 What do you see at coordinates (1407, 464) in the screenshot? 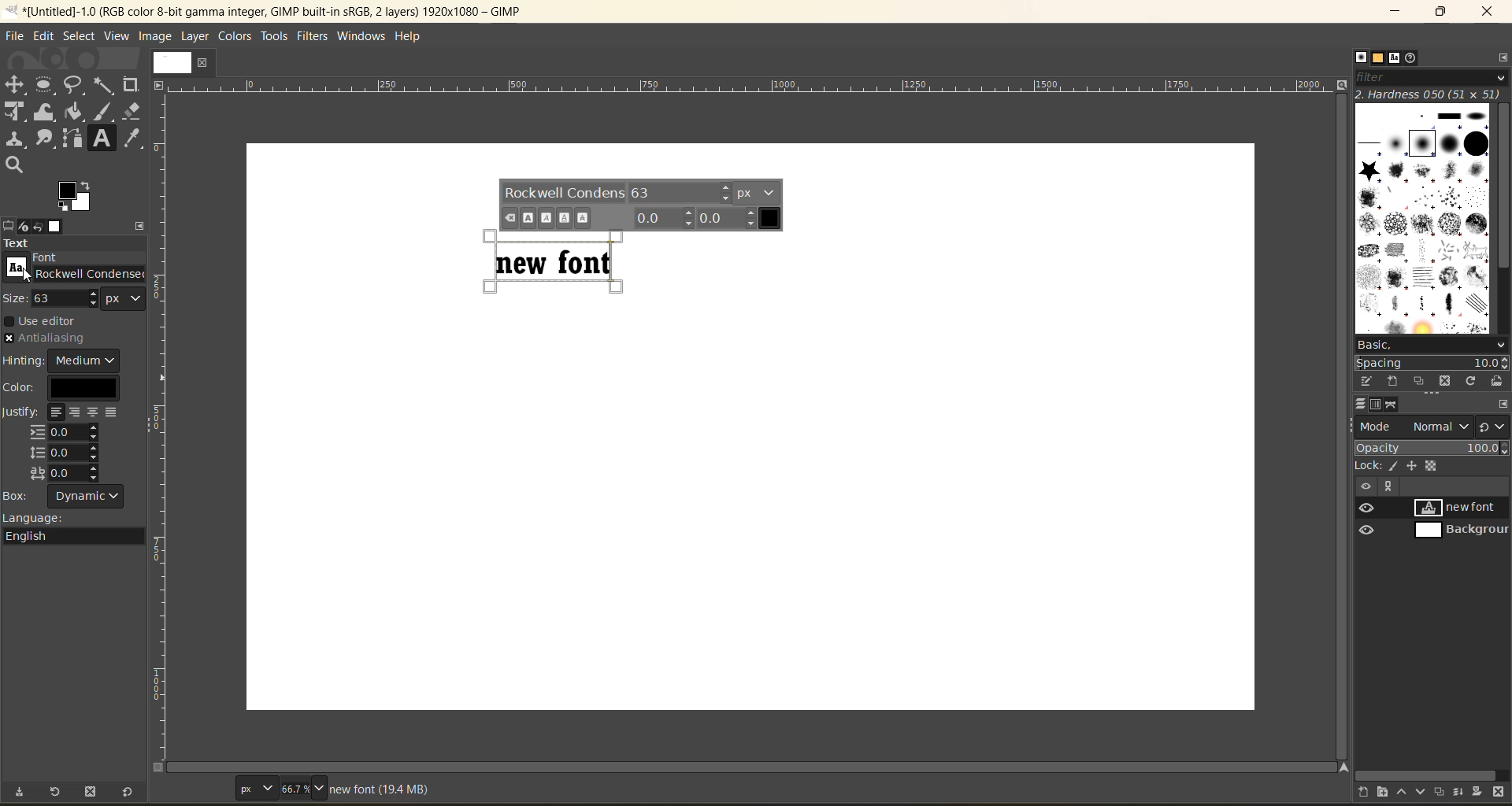
I see `lock alpha, position, pixel` at bounding box center [1407, 464].